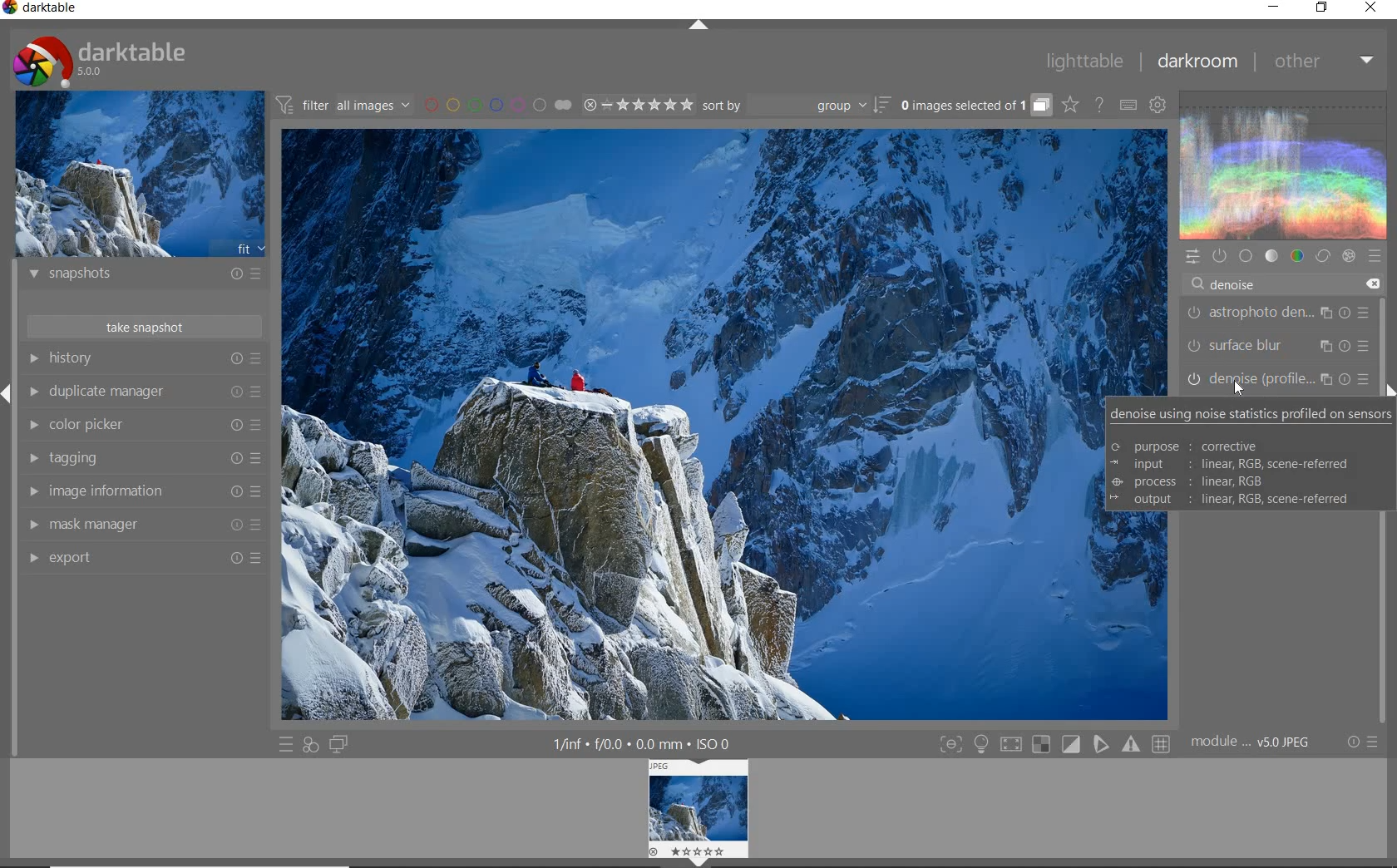 The image size is (1397, 868). Describe the element at coordinates (1128, 105) in the screenshot. I see `set keyboard shortcuts` at that location.